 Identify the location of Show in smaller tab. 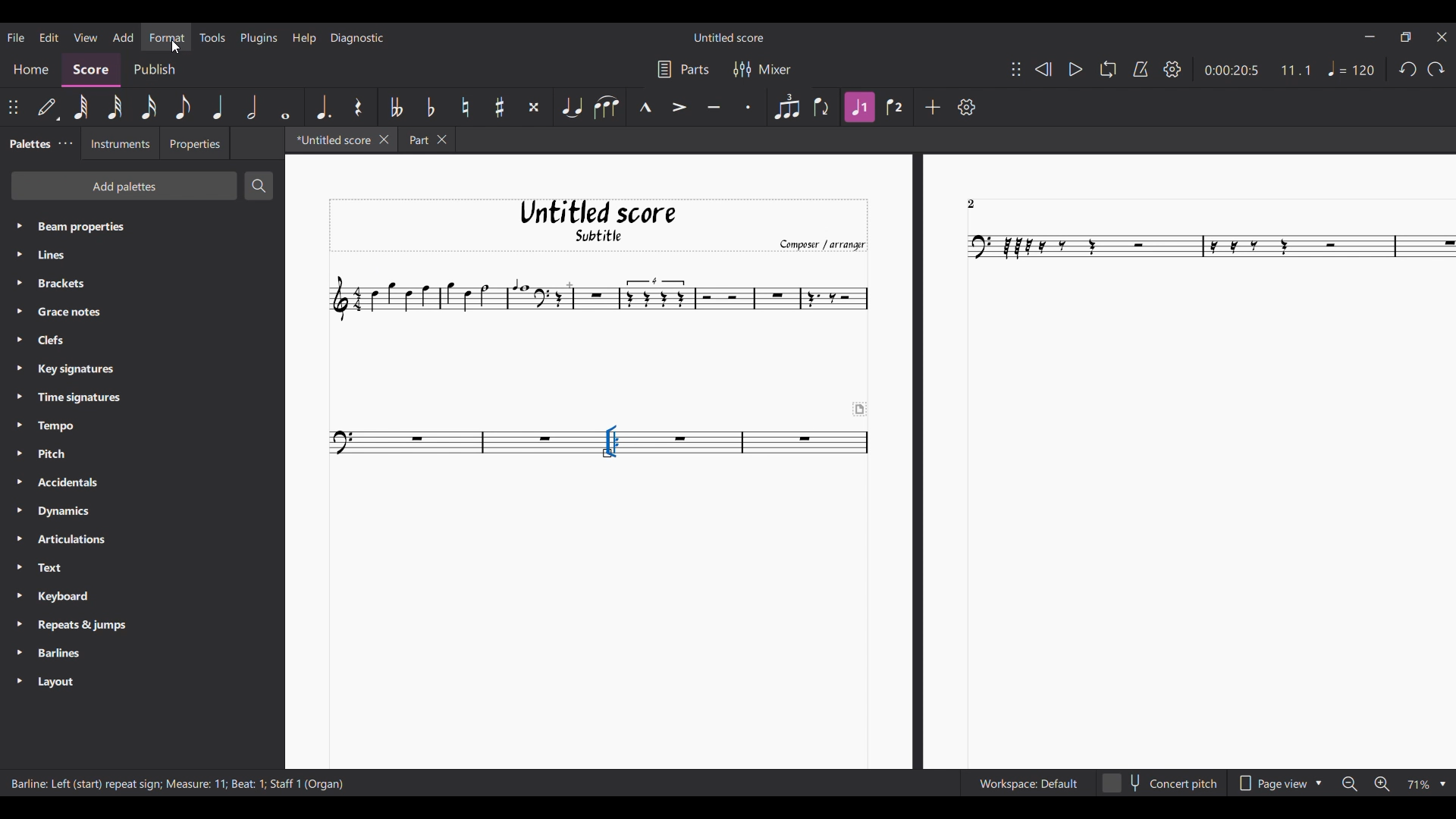
(1406, 36).